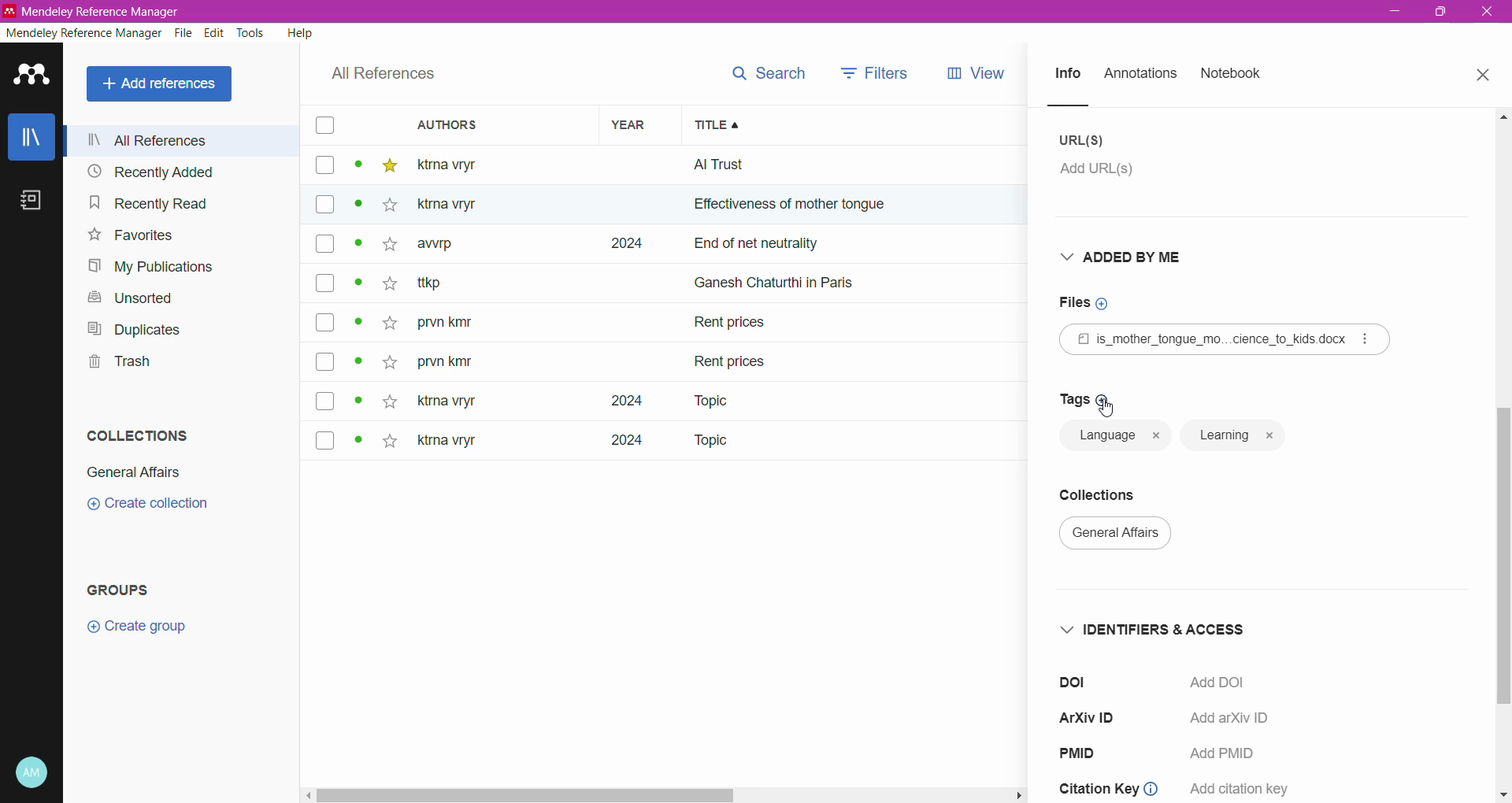 The width and height of the screenshot is (1512, 803). I want to click on exit, so click(1490, 16).